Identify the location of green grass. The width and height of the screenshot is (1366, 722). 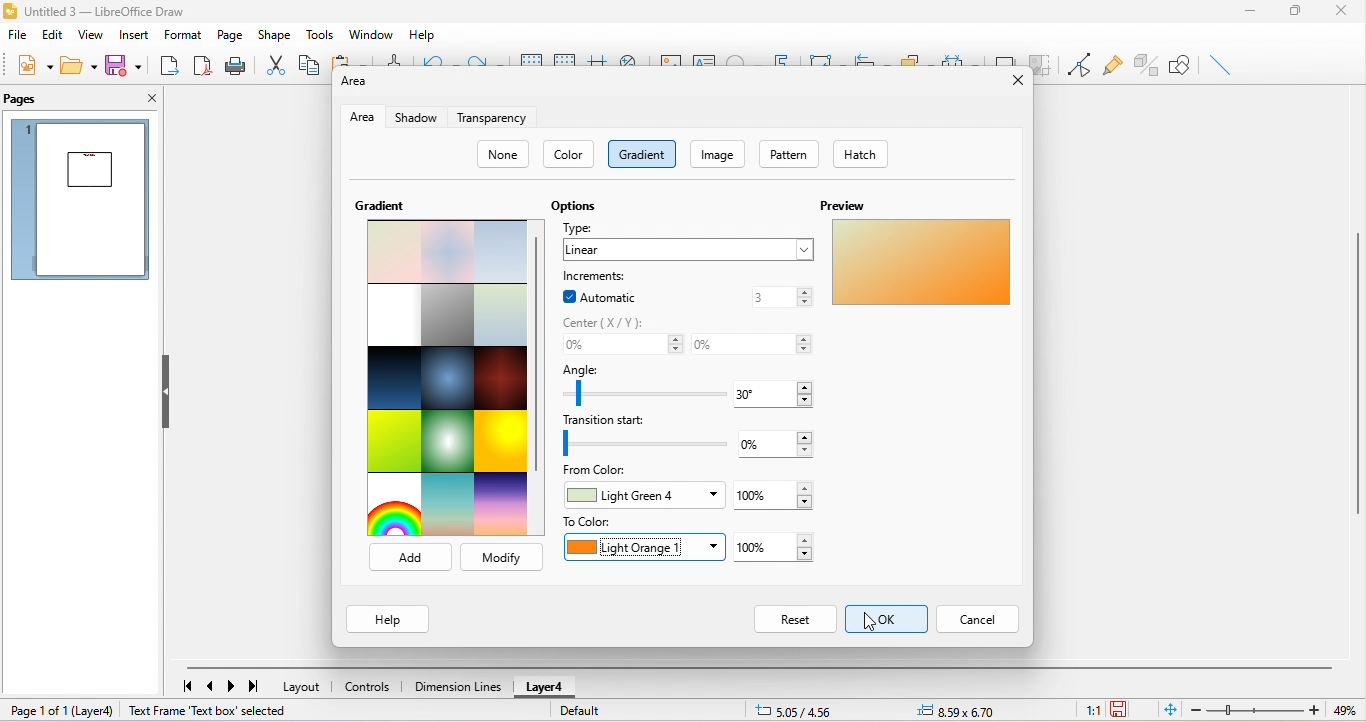
(392, 443).